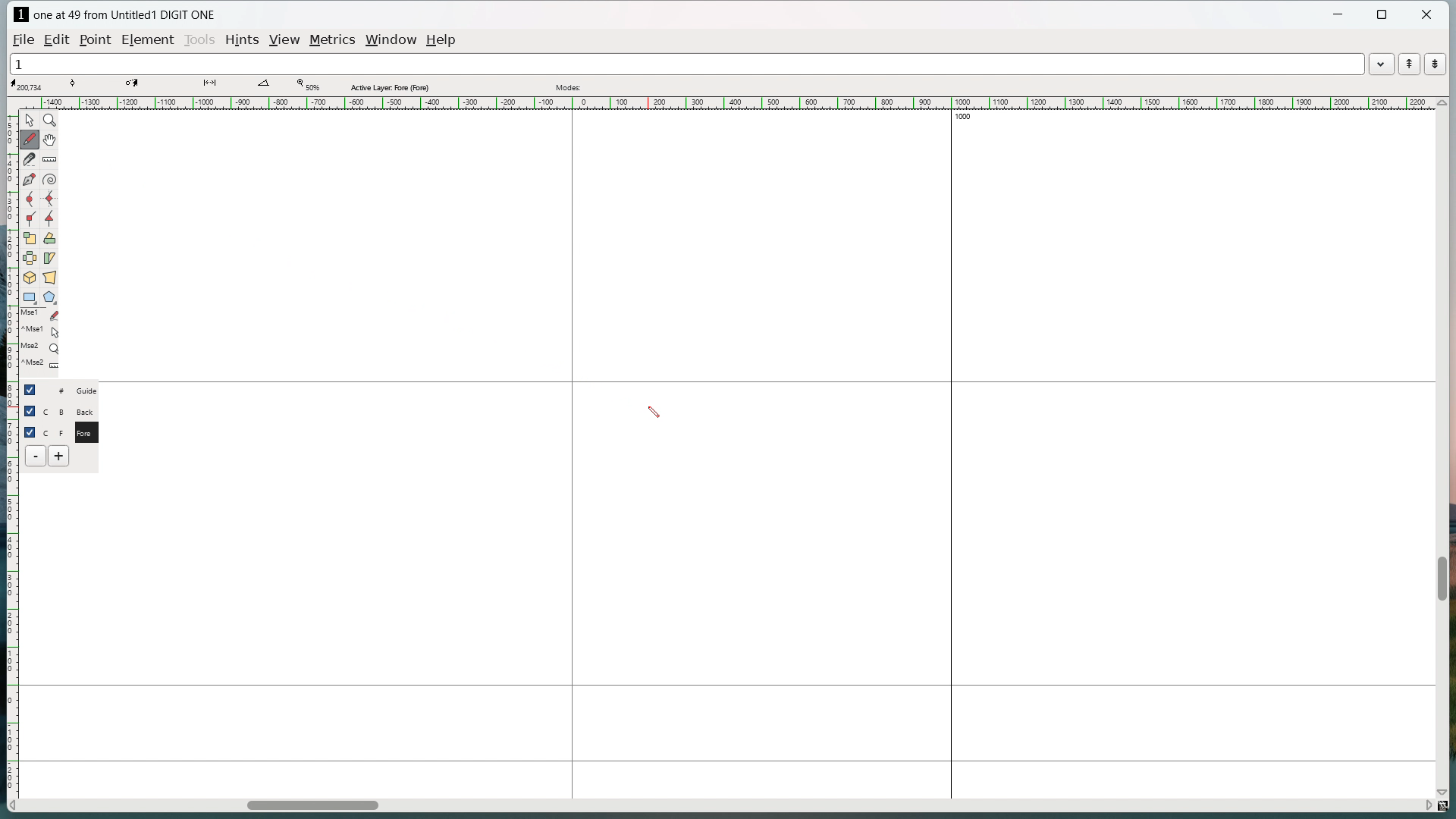 The height and width of the screenshot is (819, 1456). Describe the element at coordinates (1409, 64) in the screenshot. I see `show the previous word in the word list` at that location.